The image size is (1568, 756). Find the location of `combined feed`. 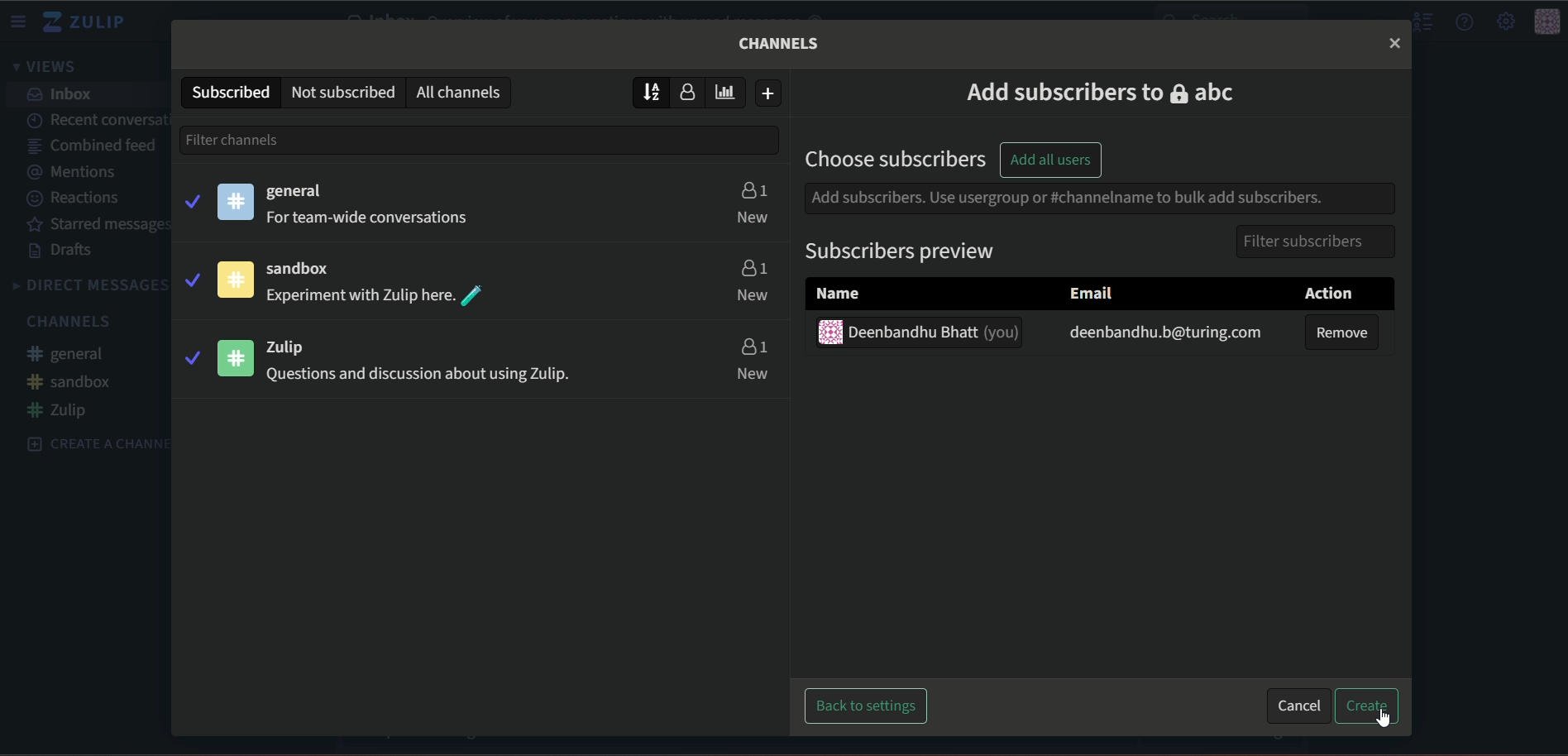

combined feed is located at coordinates (92, 147).